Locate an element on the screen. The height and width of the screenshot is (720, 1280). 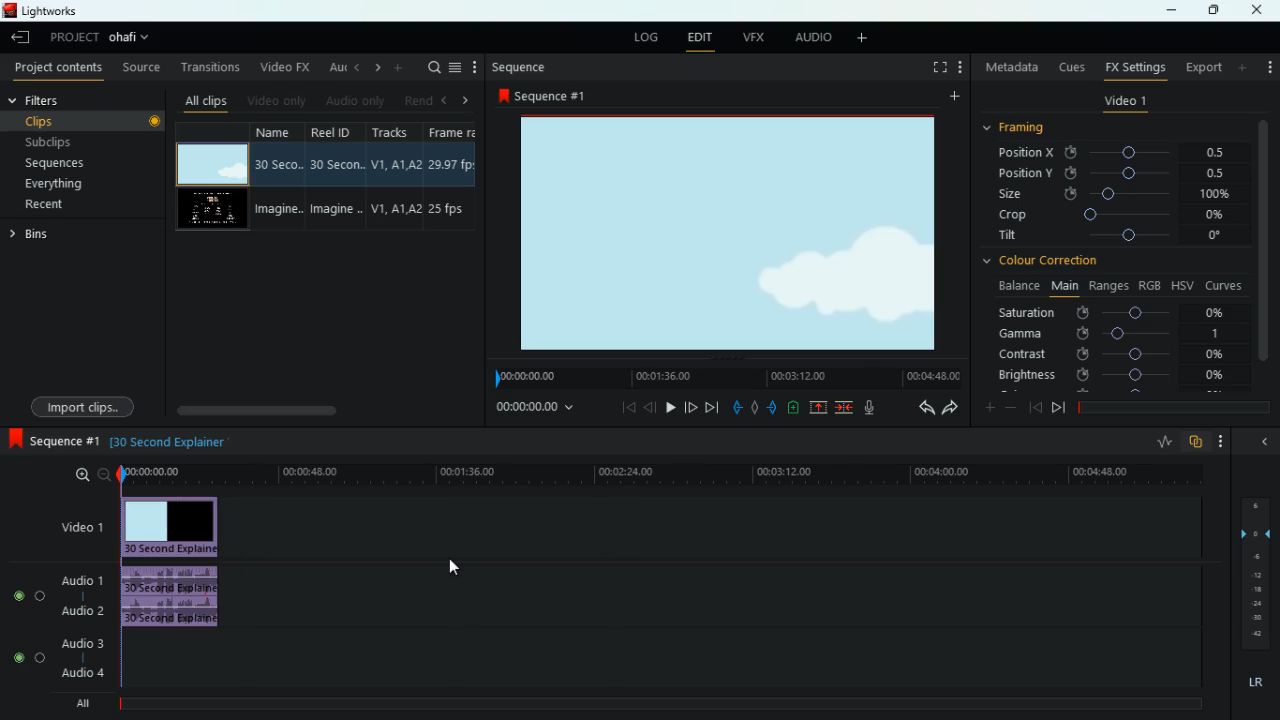
close is located at coordinates (1261, 443).